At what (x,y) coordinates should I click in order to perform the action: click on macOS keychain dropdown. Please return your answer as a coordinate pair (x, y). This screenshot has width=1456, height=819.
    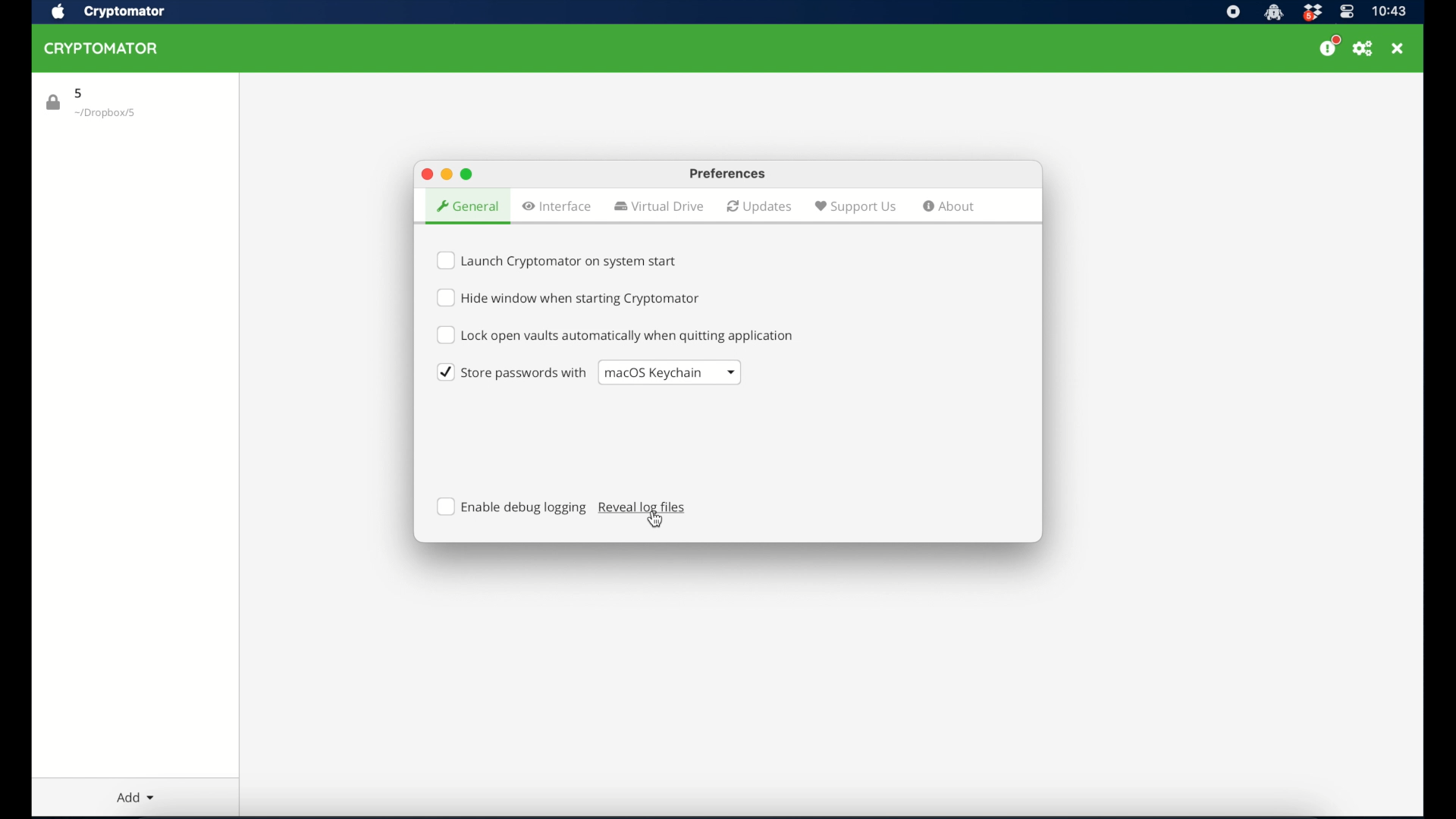
    Looking at the image, I should click on (671, 373).